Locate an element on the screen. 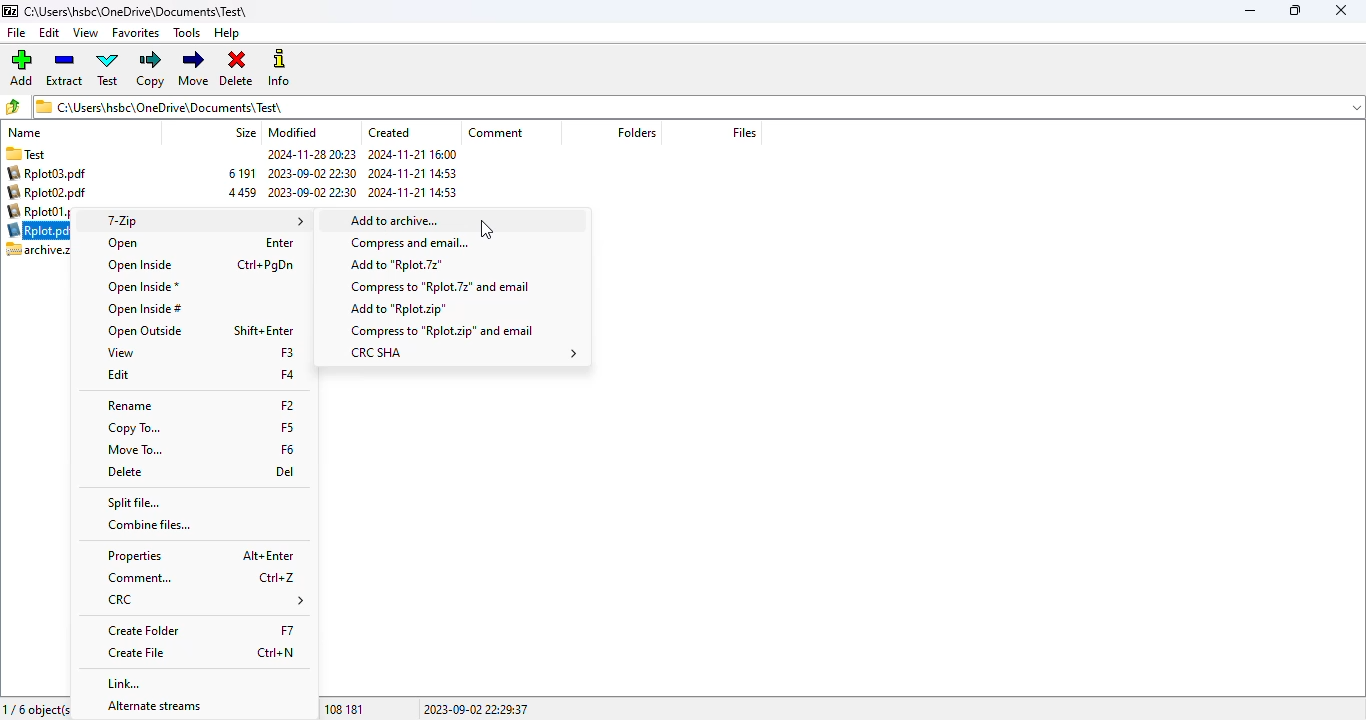 The width and height of the screenshot is (1366, 720). edit is located at coordinates (119, 374).